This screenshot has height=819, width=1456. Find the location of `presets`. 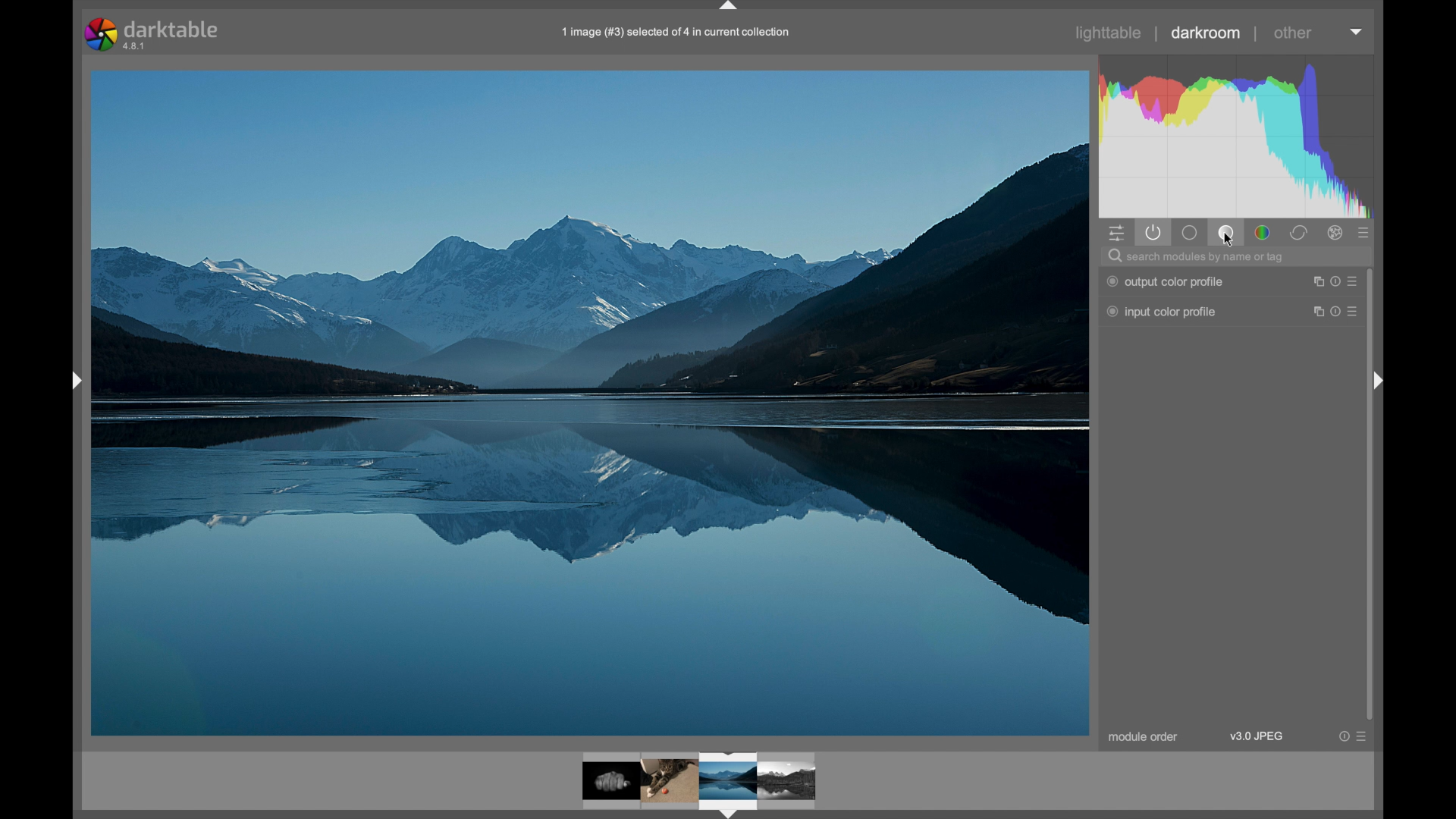

presets is located at coordinates (1367, 234).